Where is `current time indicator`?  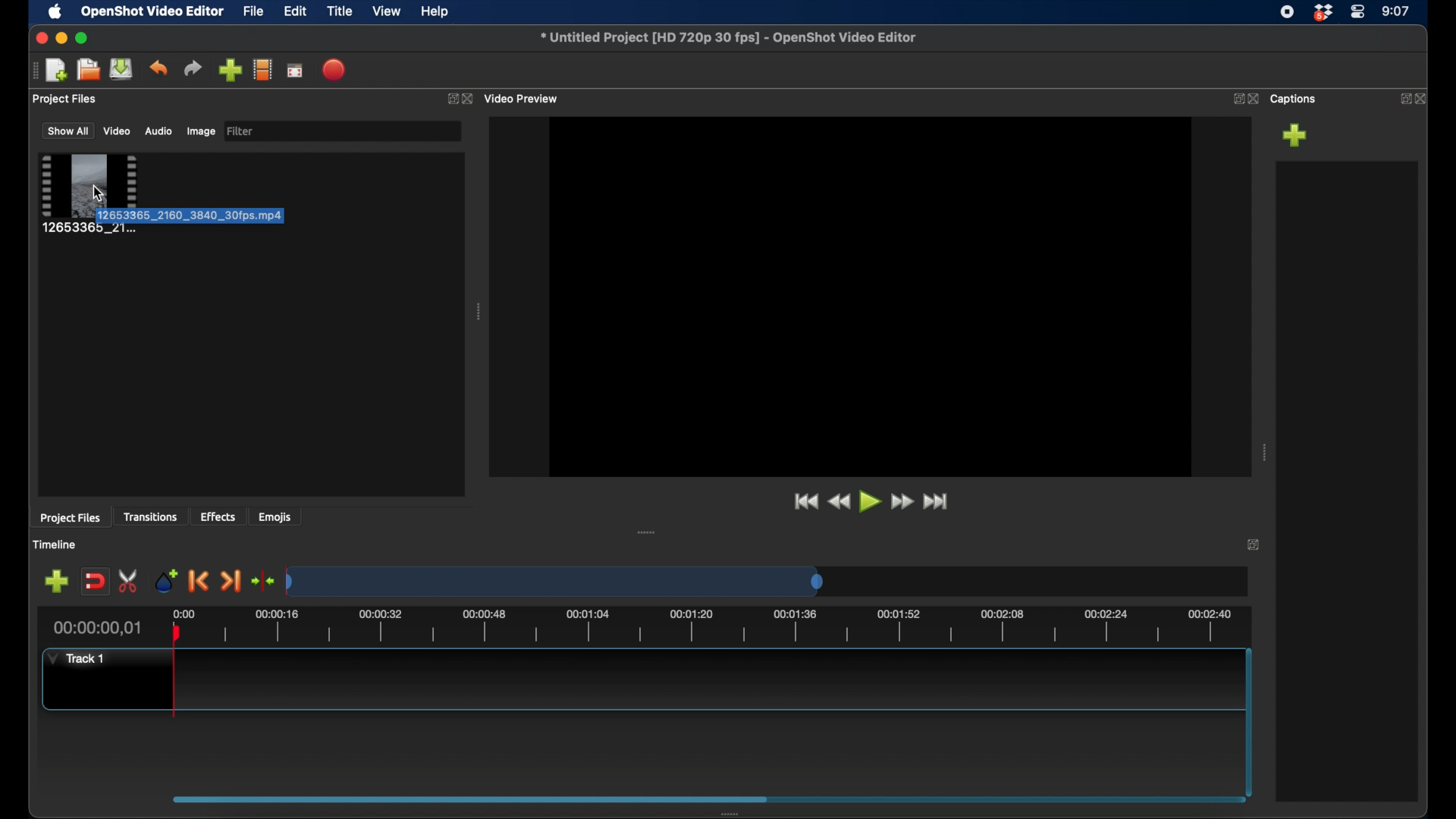
current time indicator is located at coordinates (96, 629).